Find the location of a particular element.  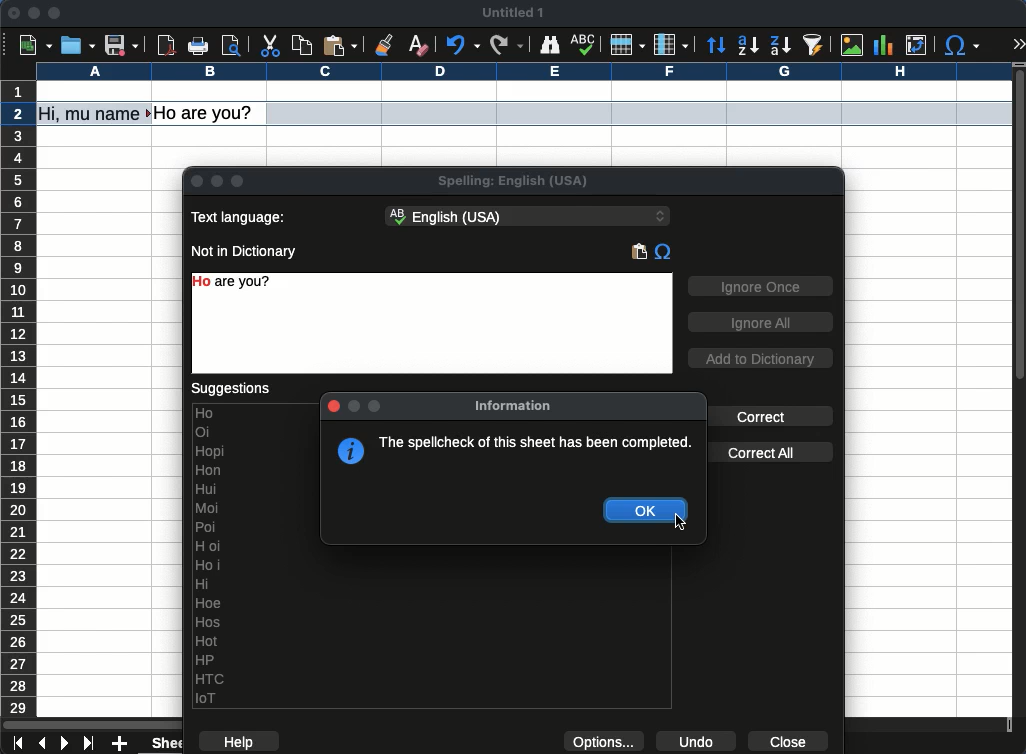

Close is located at coordinates (336, 406).